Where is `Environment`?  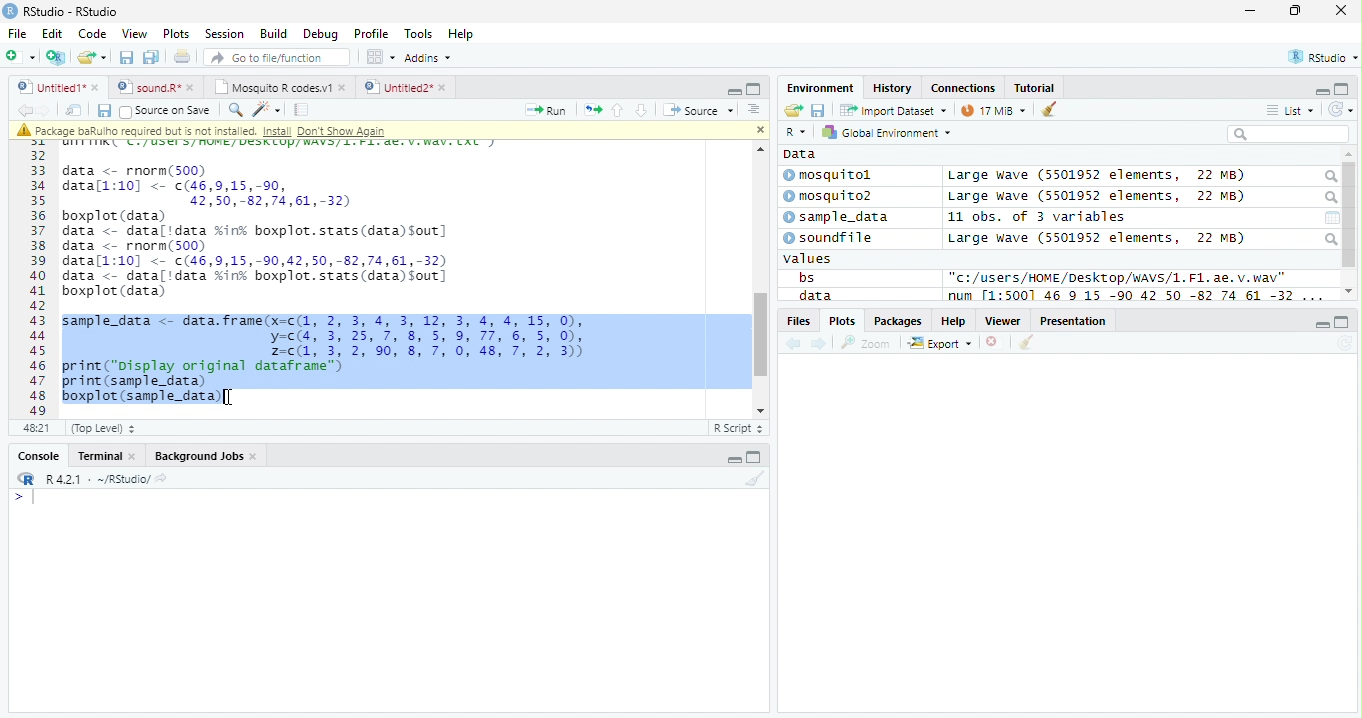 Environment is located at coordinates (821, 88).